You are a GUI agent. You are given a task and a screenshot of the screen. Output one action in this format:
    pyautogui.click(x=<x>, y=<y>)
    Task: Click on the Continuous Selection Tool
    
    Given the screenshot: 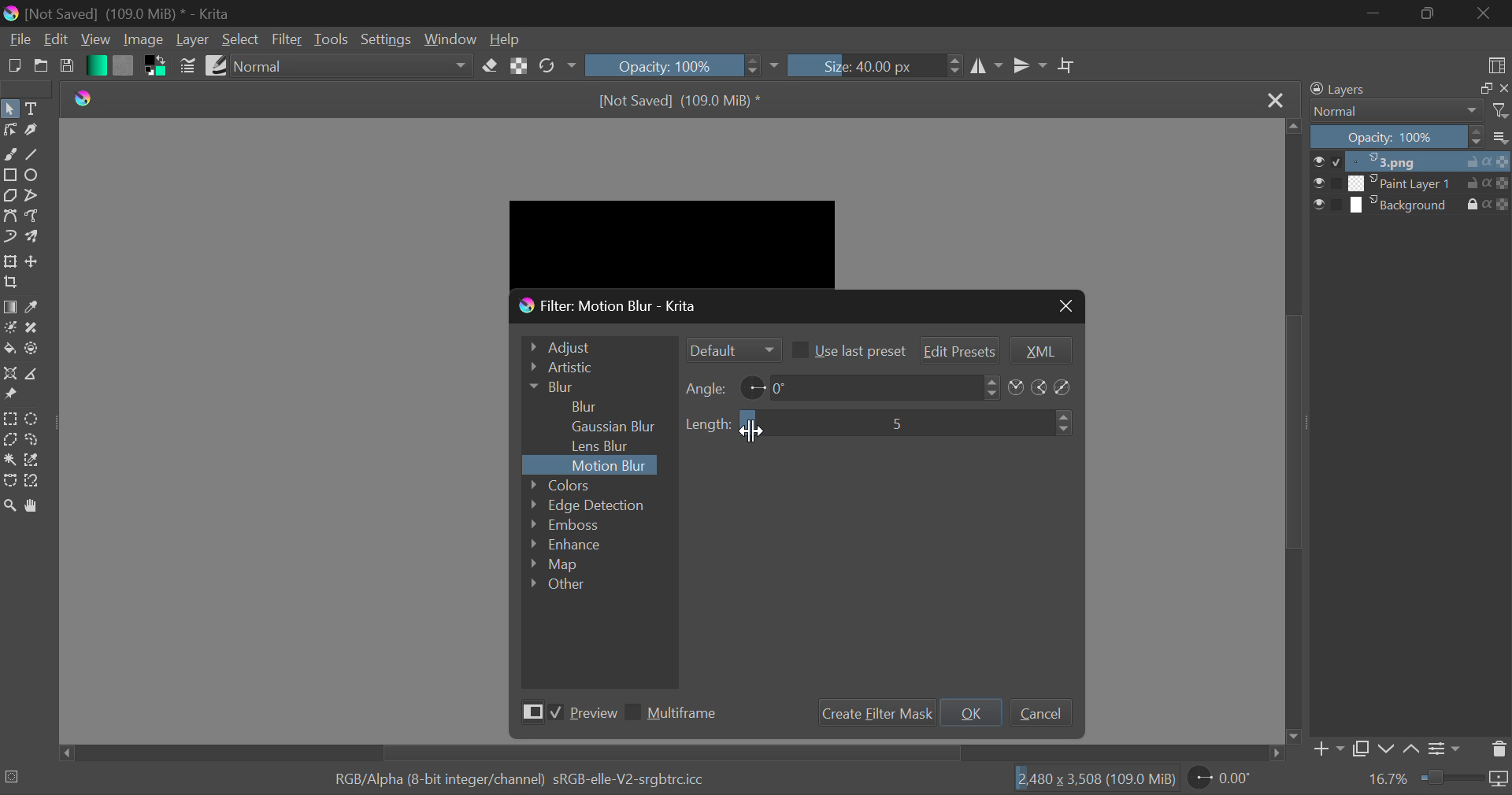 What is the action you would take?
    pyautogui.click(x=9, y=460)
    